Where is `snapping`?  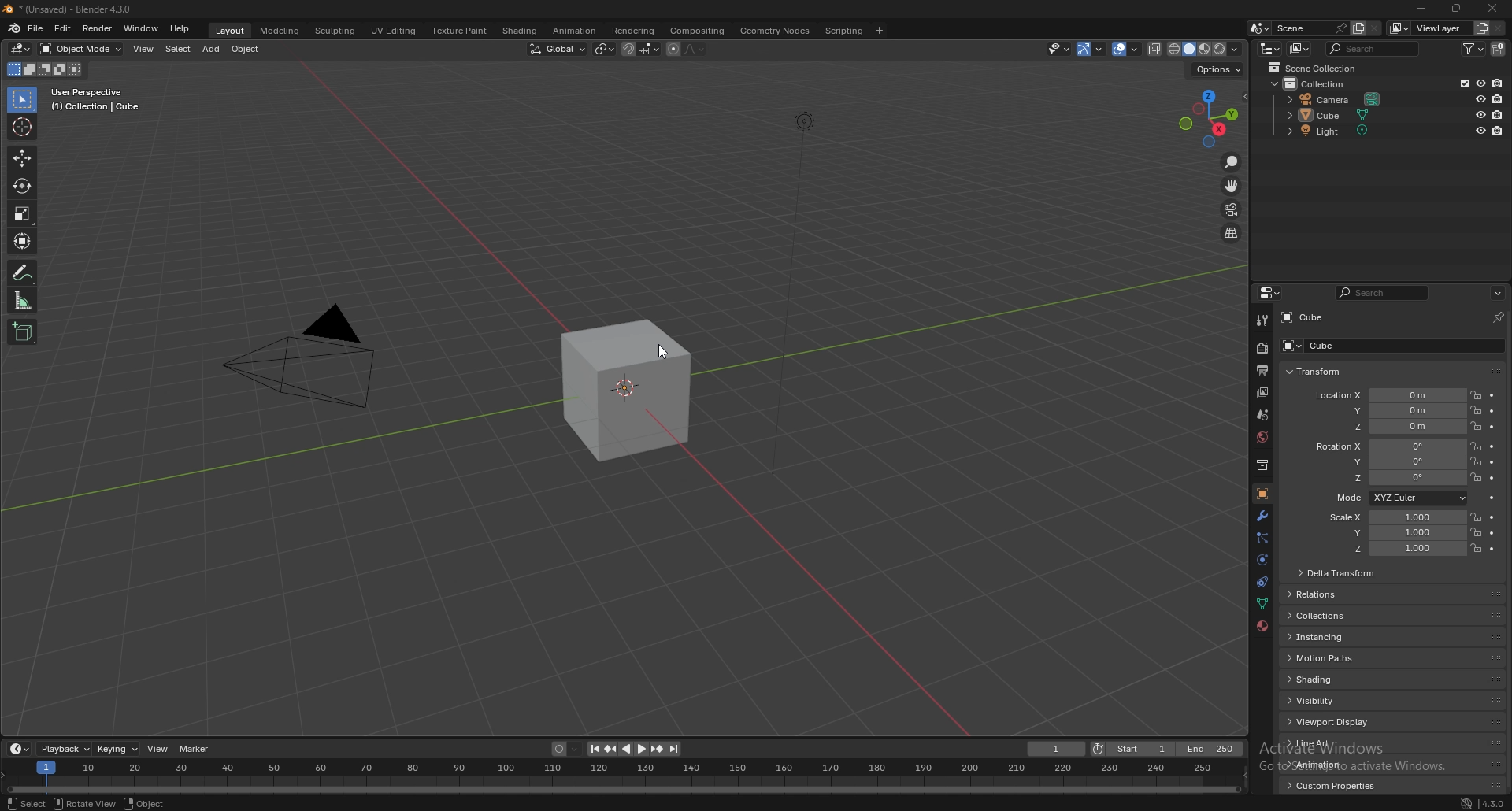
snapping is located at coordinates (641, 49).